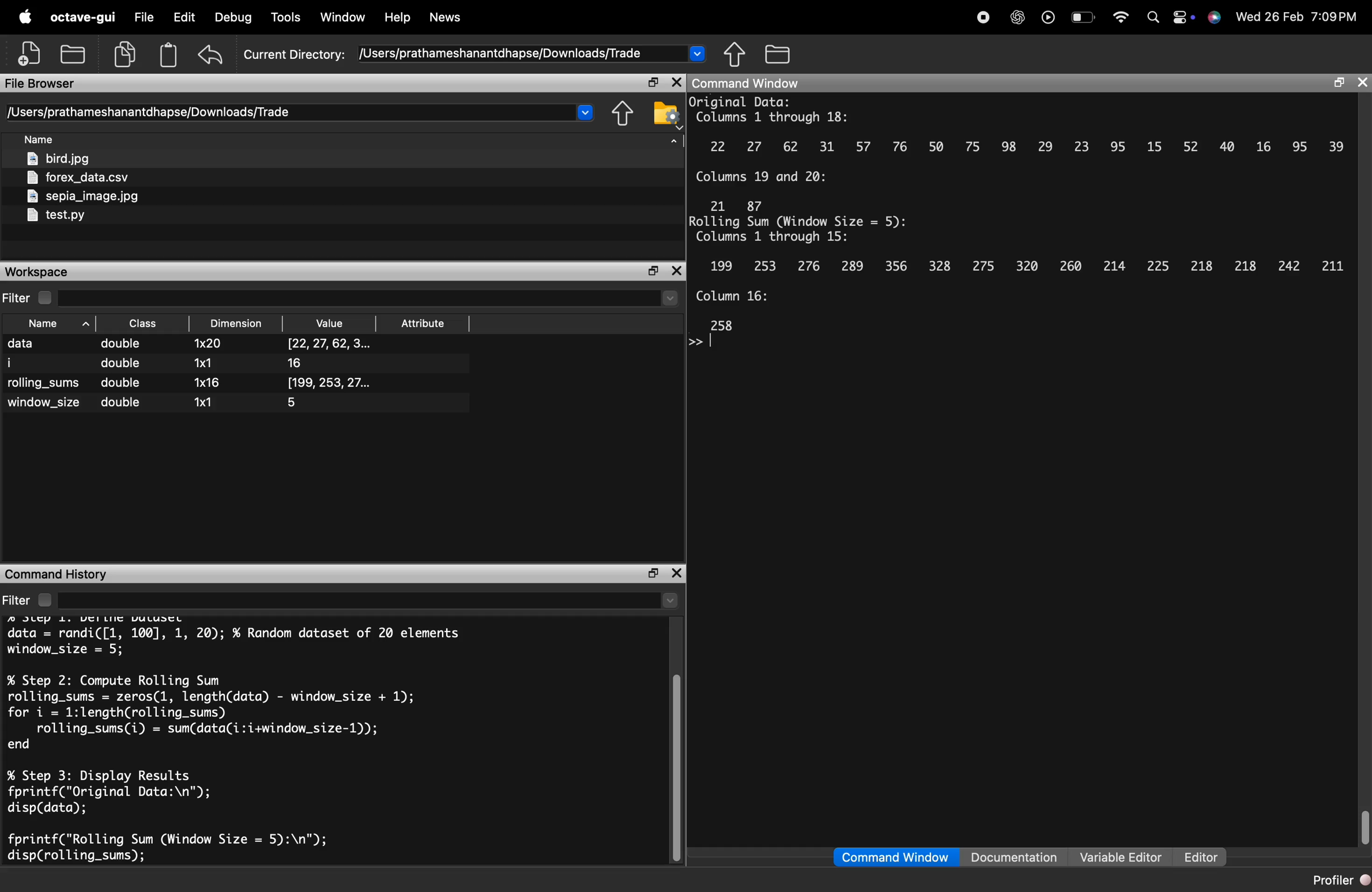 The height and width of the screenshot is (892, 1372). What do you see at coordinates (47, 84) in the screenshot?
I see `file browser` at bounding box center [47, 84].